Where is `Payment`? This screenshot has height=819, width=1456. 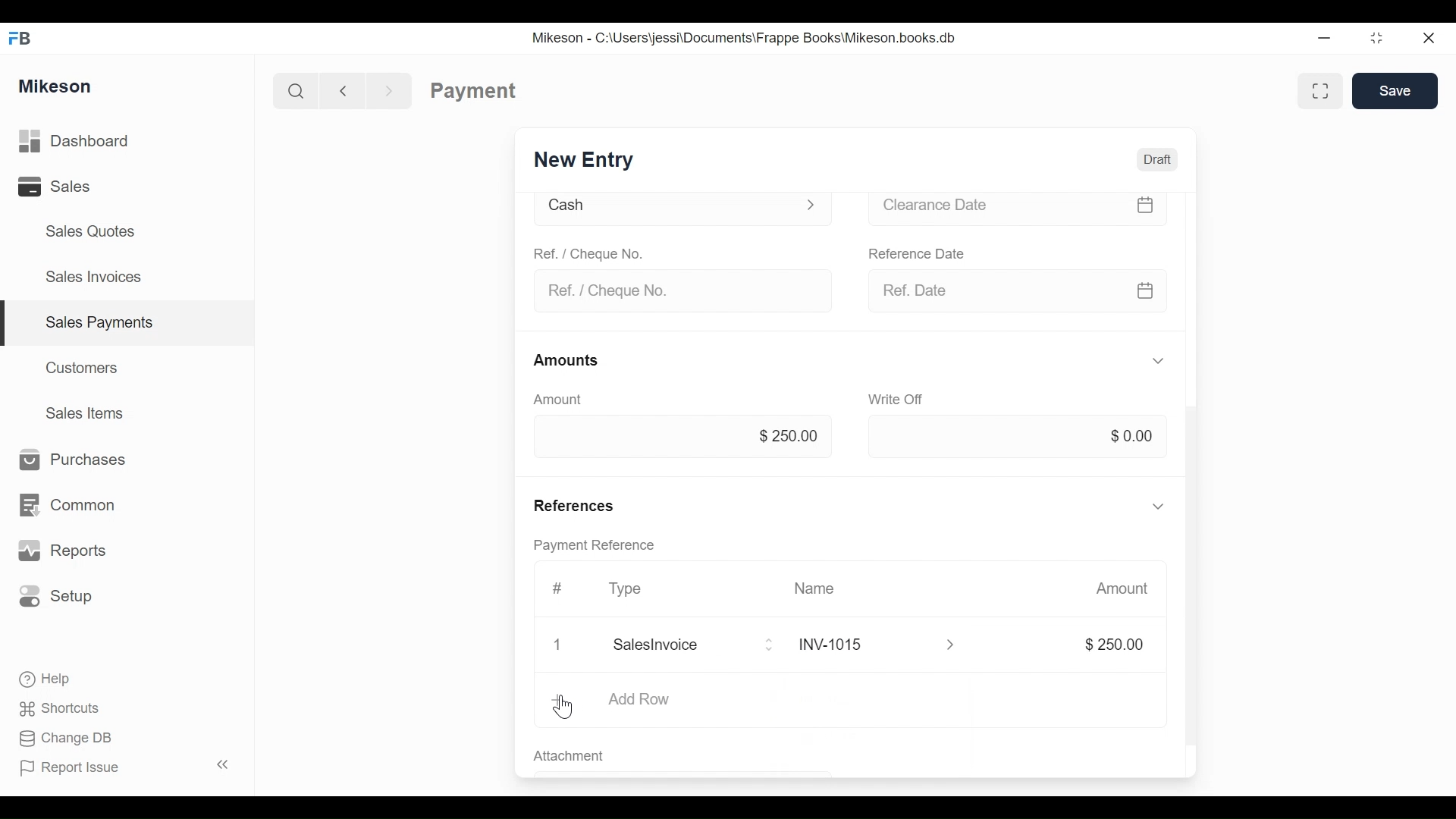 Payment is located at coordinates (472, 89).